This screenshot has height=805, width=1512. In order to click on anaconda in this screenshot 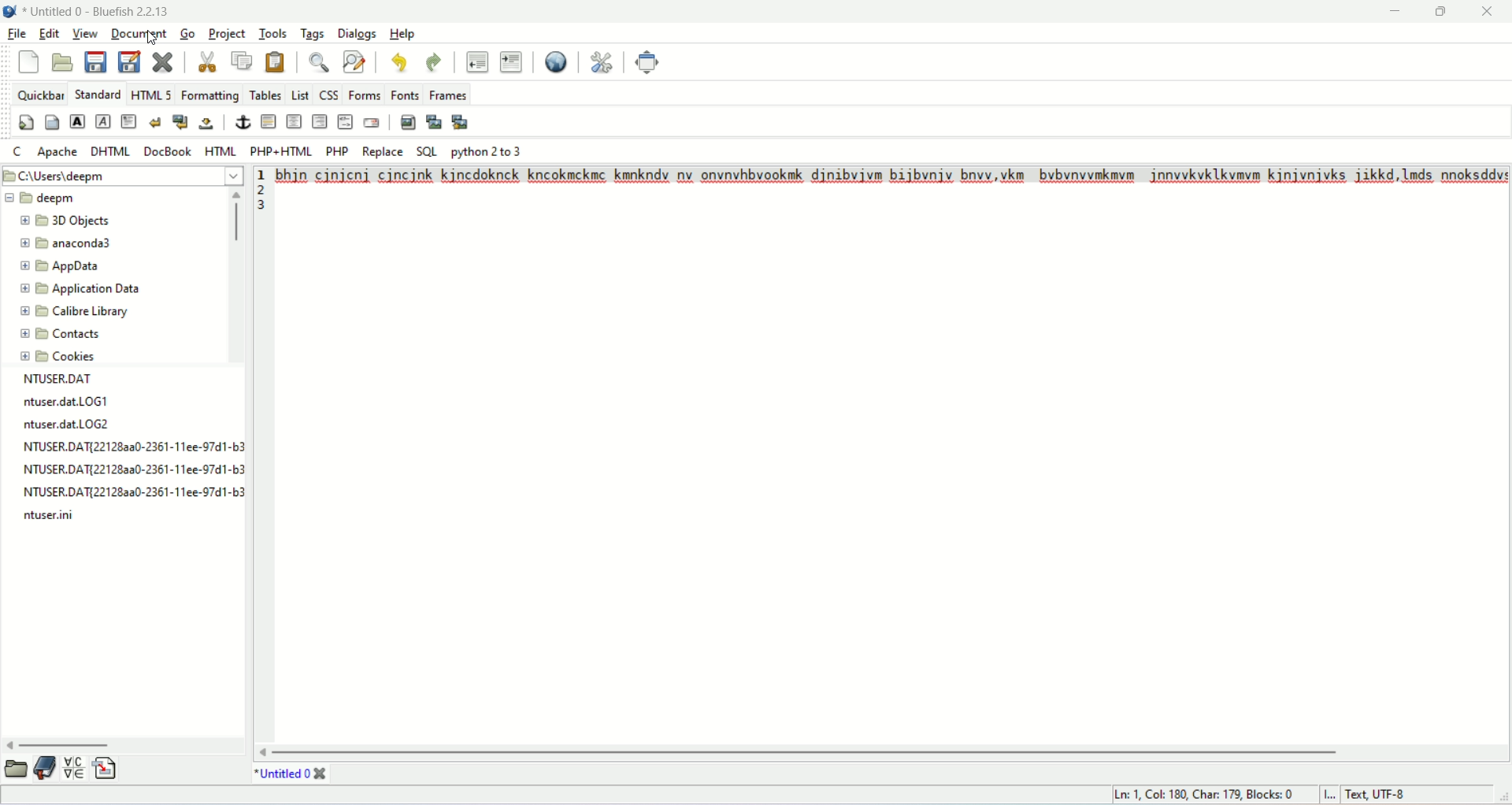, I will do `click(76, 247)`.